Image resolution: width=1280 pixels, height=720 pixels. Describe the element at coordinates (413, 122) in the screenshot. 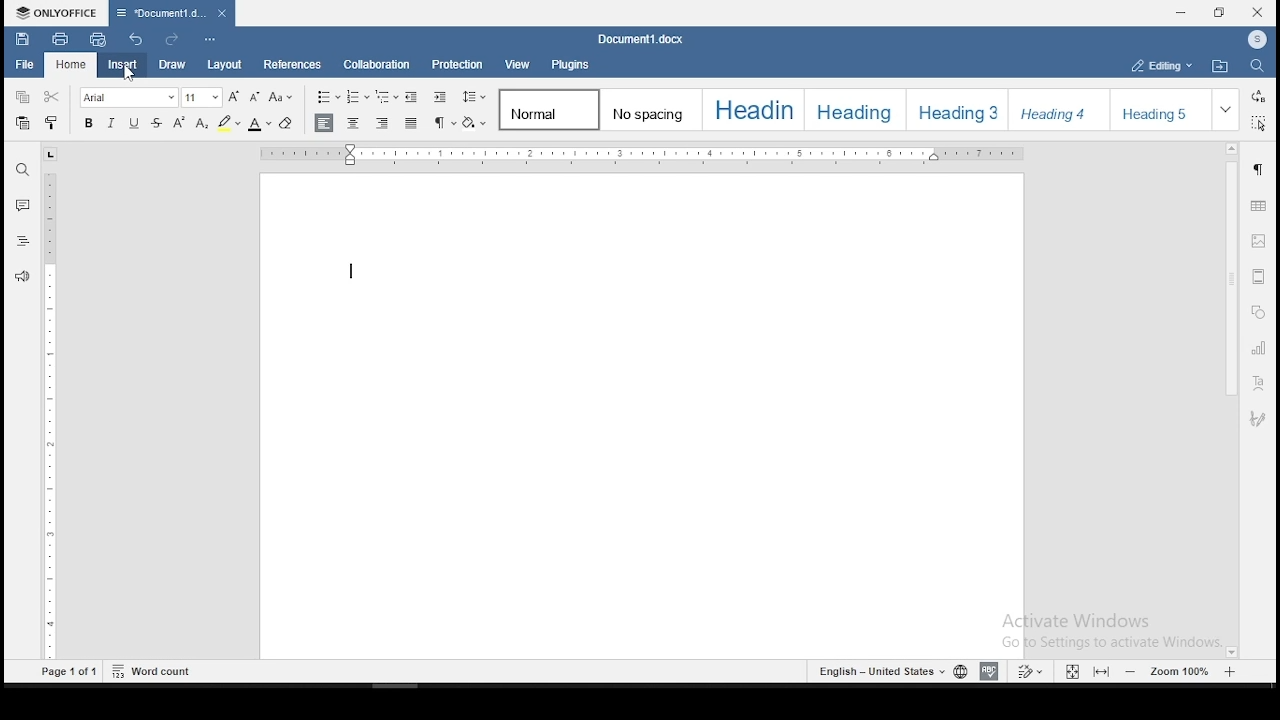

I see `justified` at that location.